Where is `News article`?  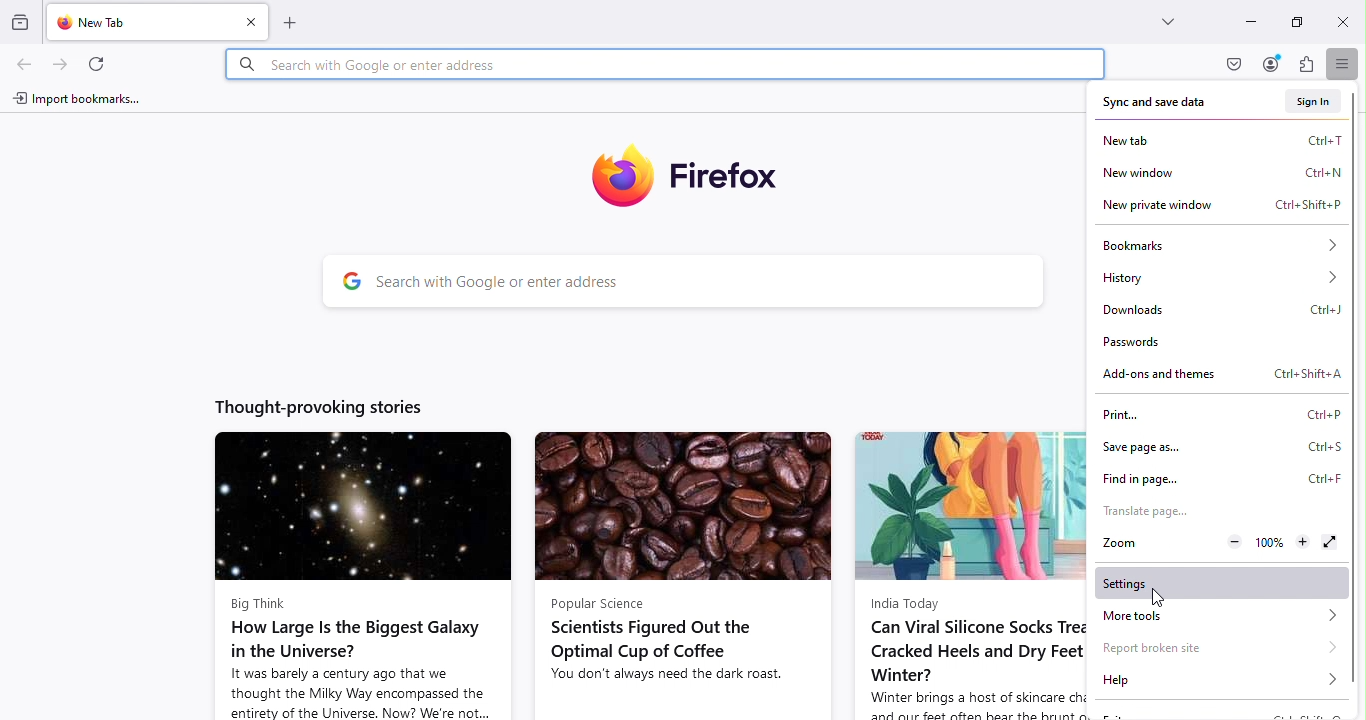
News article is located at coordinates (682, 574).